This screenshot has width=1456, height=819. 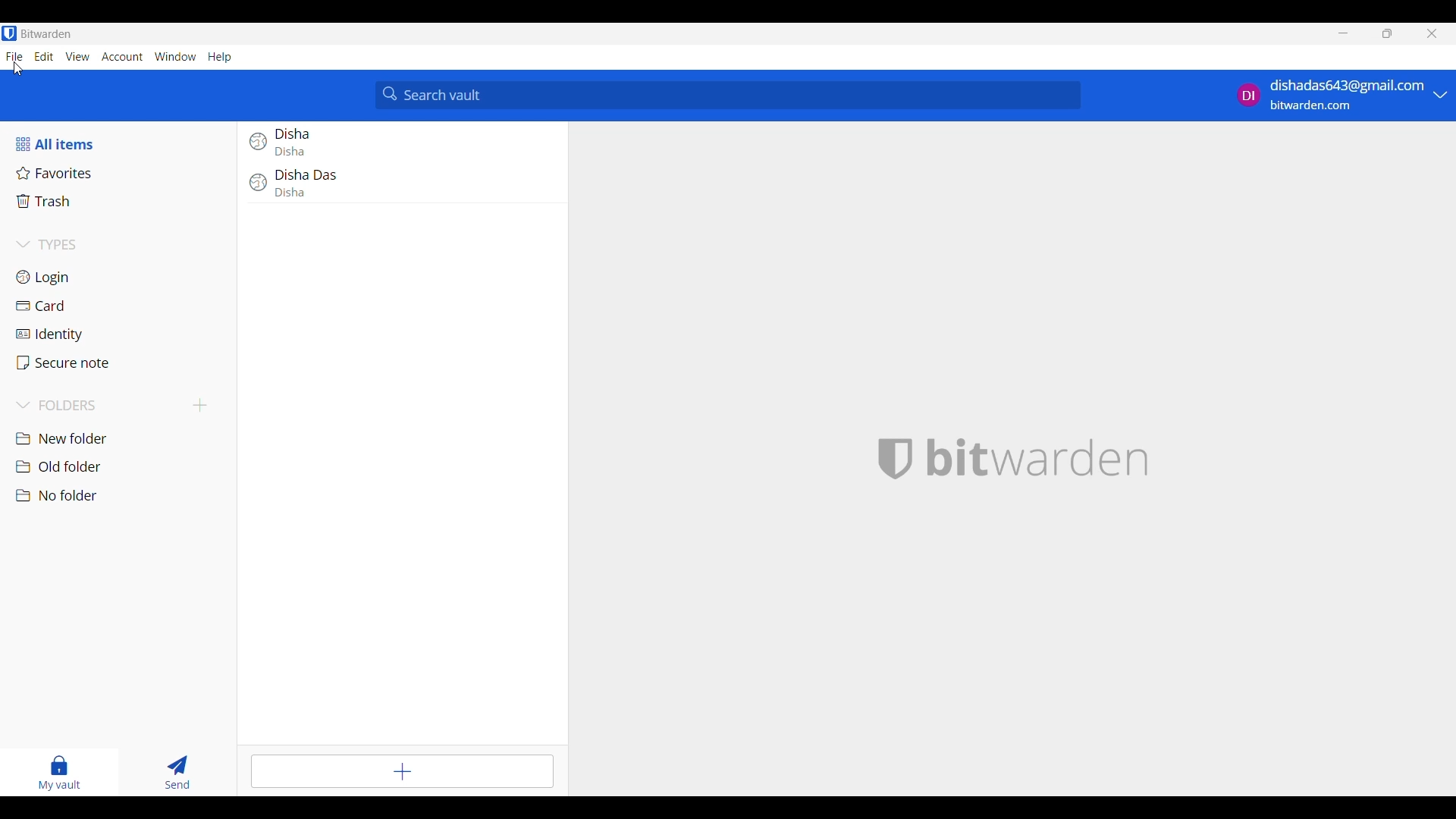 What do you see at coordinates (1387, 33) in the screenshot?
I see `Show interface in a smaller tab` at bounding box center [1387, 33].